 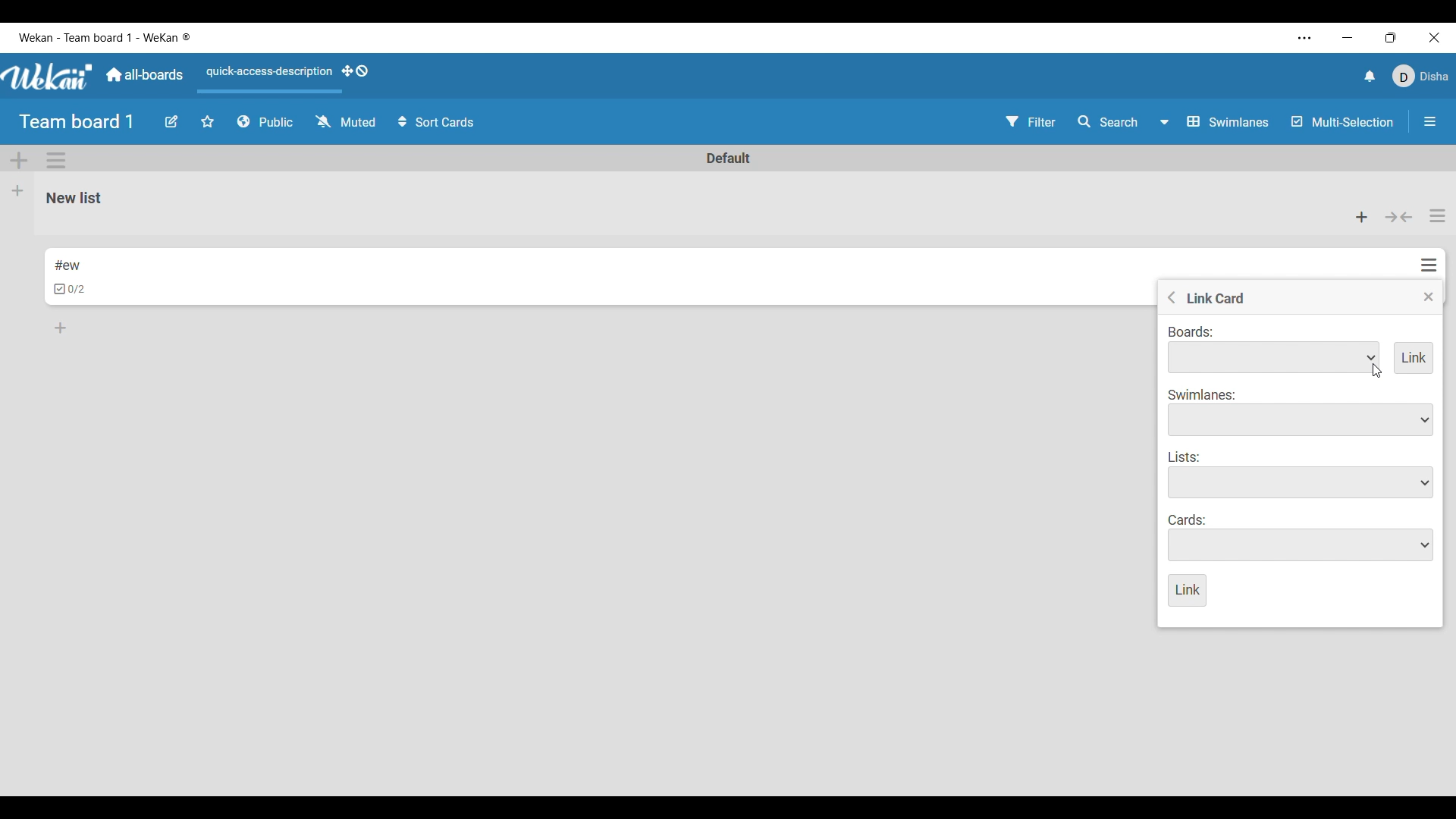 What do you see at coordinates (1430, 122) in the screenshot?
I see `Close/Open sidebar` at bounding box center [1430, 122].